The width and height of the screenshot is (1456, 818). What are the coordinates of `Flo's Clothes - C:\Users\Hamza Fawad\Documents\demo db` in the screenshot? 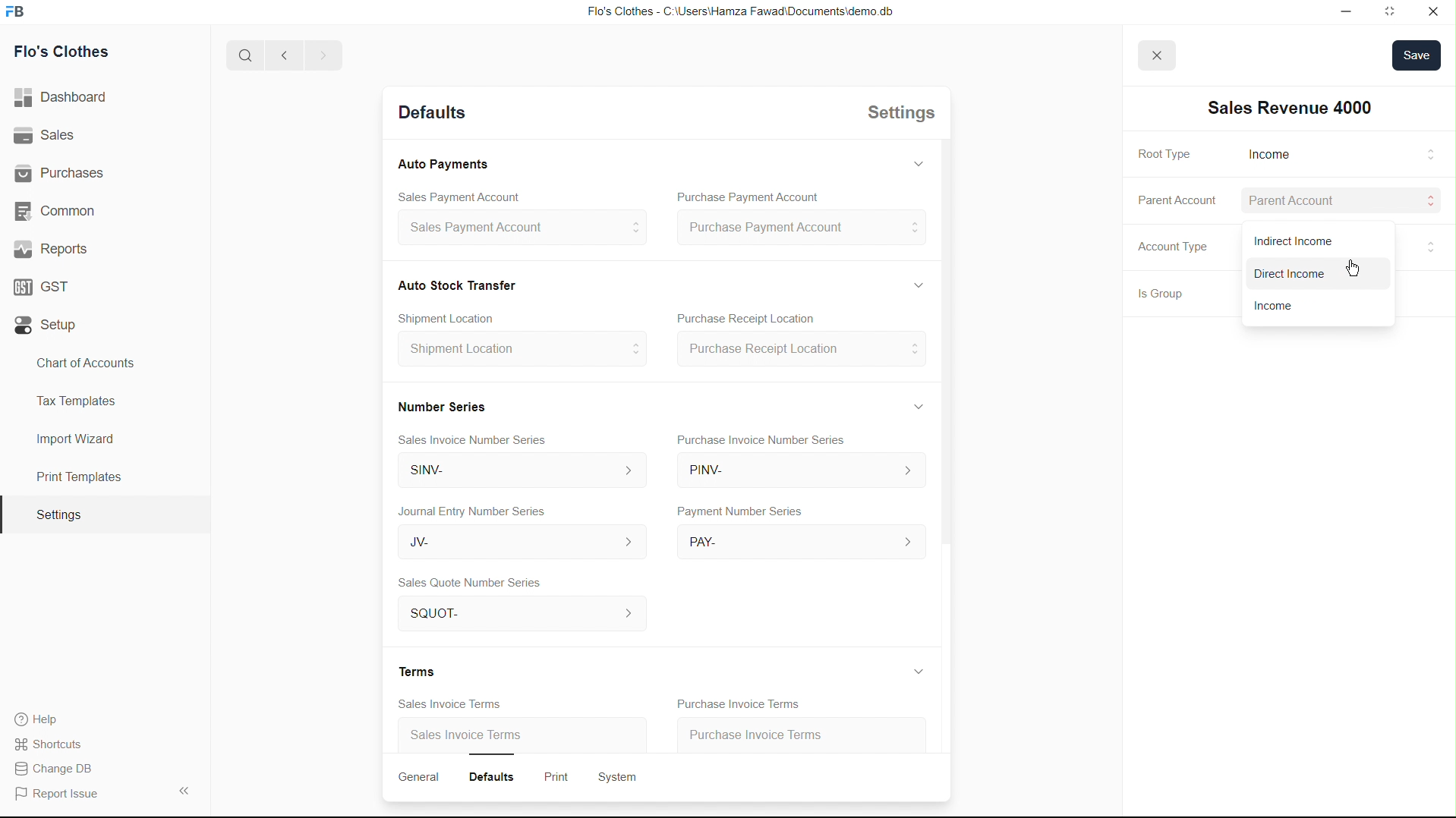 It's located at (739, 12).